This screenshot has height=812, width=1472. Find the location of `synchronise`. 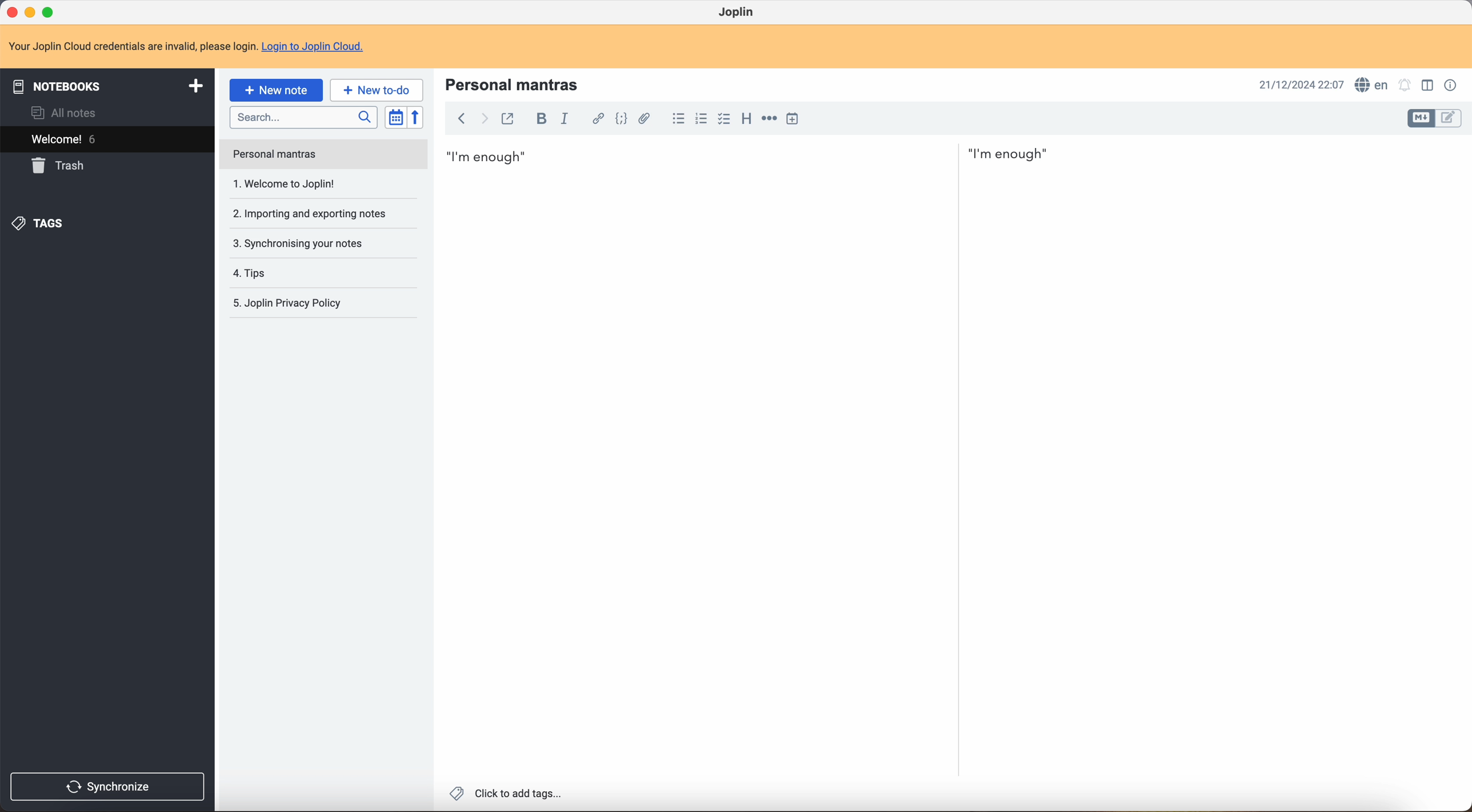

synchronise is located at coordinates (111, 786).